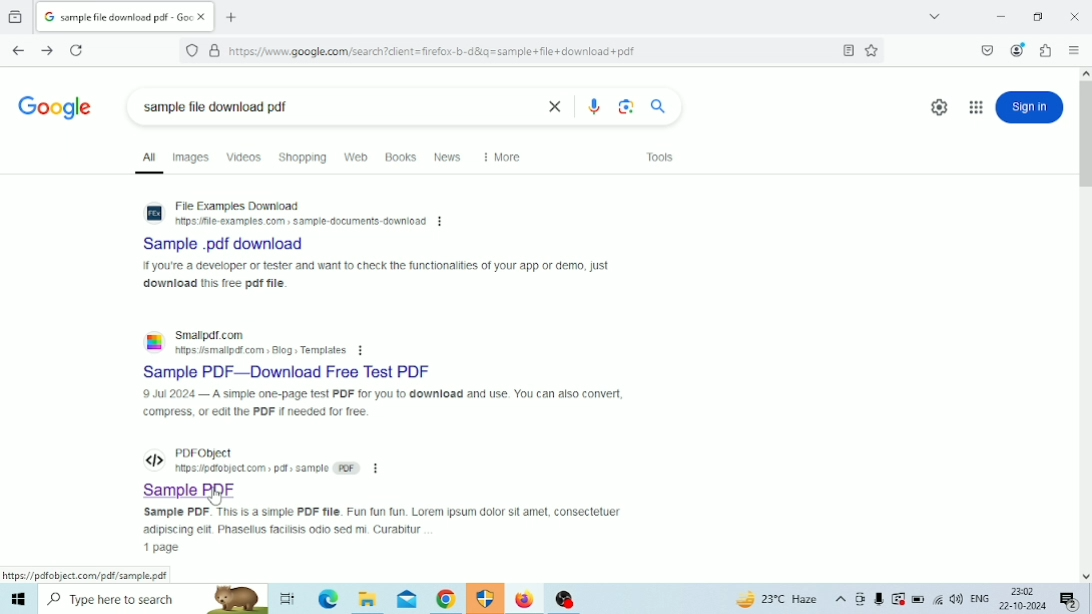 The height and width of the screenshot is (614, 1092). Describe the element at coordinates (975, 106) in the screenshot. I see `Google apps` at that location.